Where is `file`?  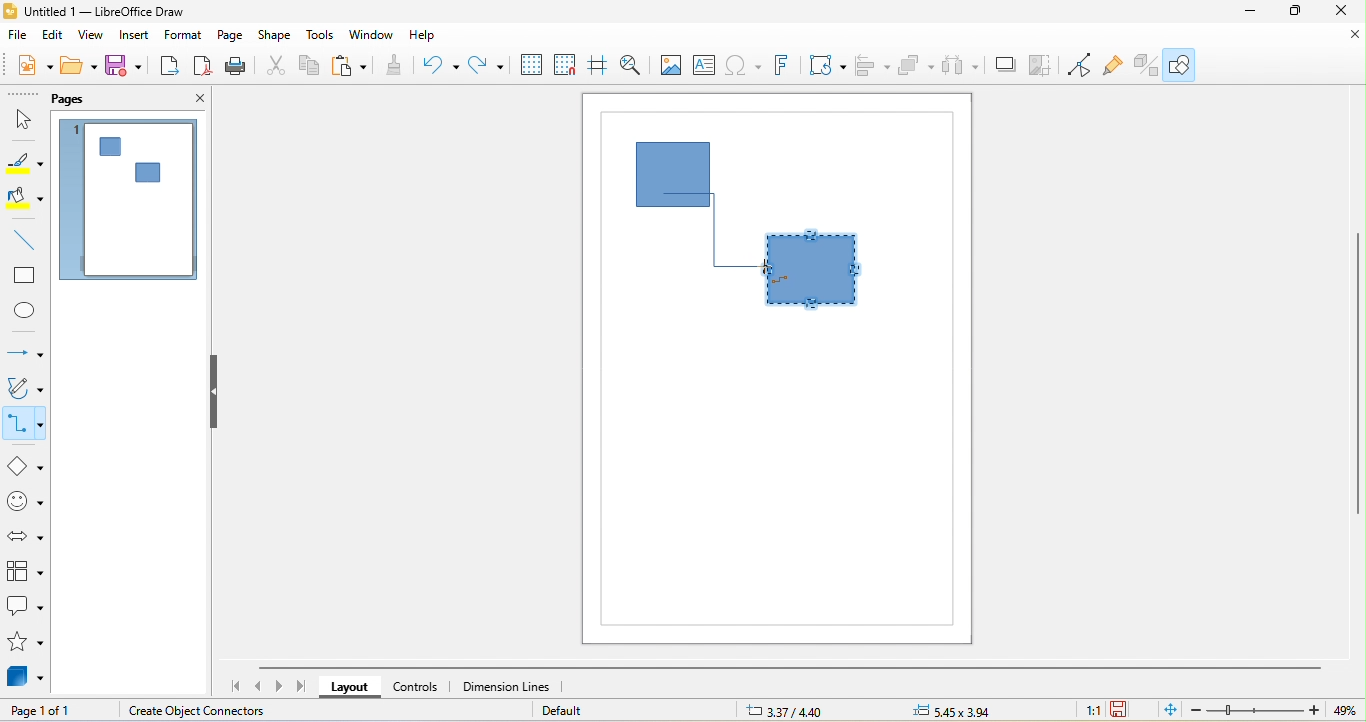
file is located at coordinates (19, 35).